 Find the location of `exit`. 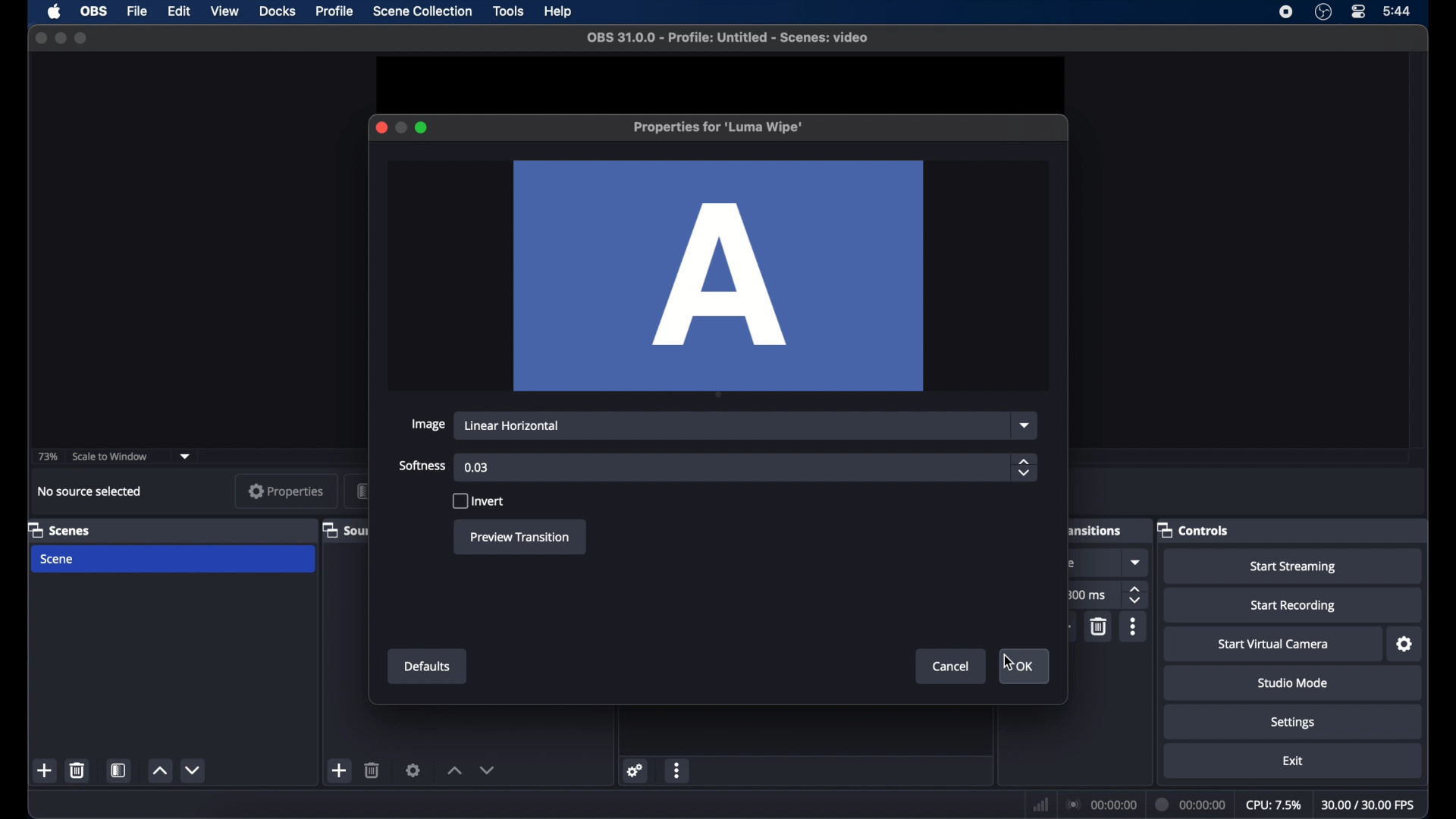

exit is located at coordinates (1295, 761).